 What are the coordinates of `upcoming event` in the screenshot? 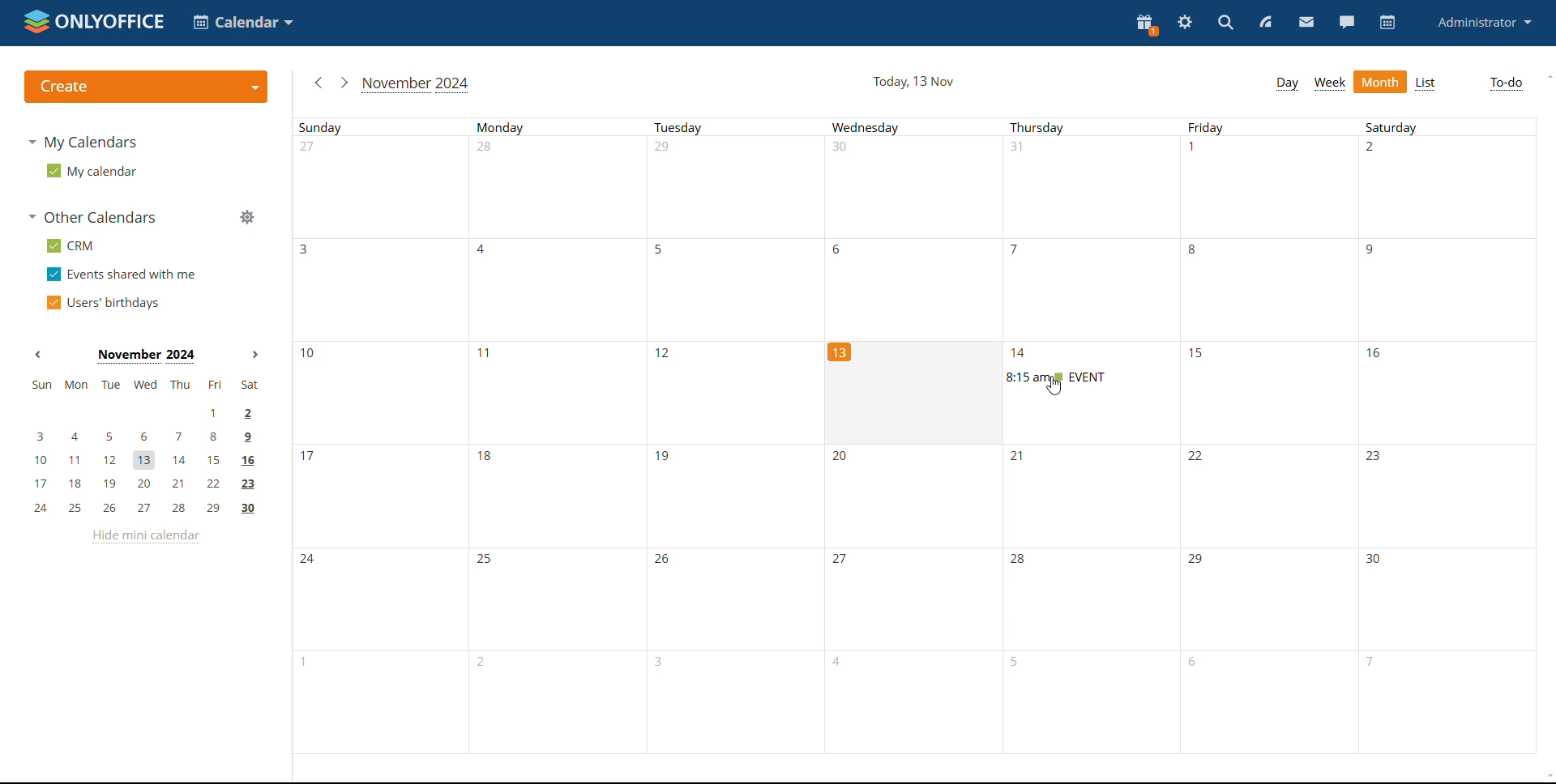 It's located at (1058, 377).